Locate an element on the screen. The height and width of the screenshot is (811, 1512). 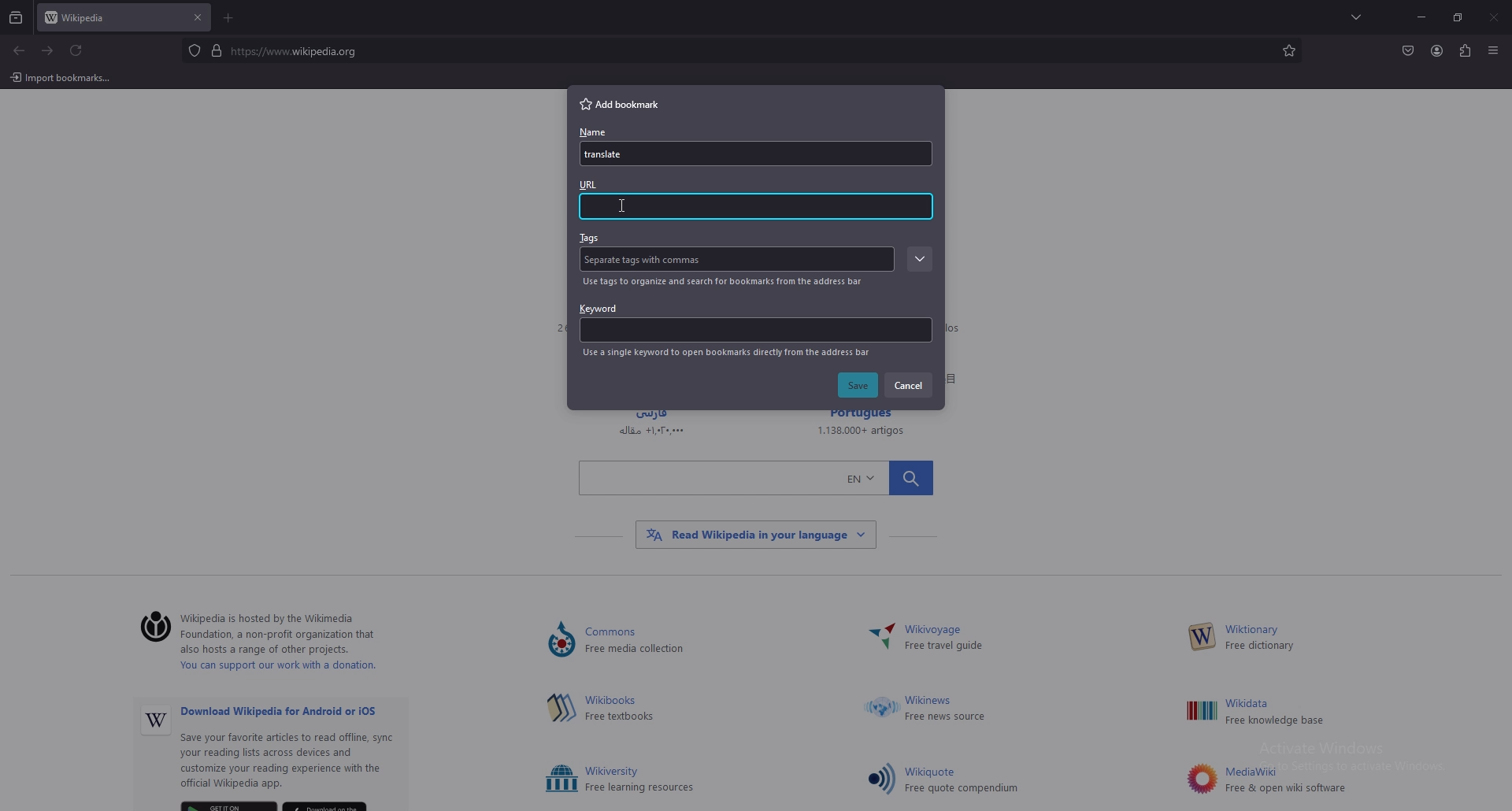
save is located at coordinates (859, 386).